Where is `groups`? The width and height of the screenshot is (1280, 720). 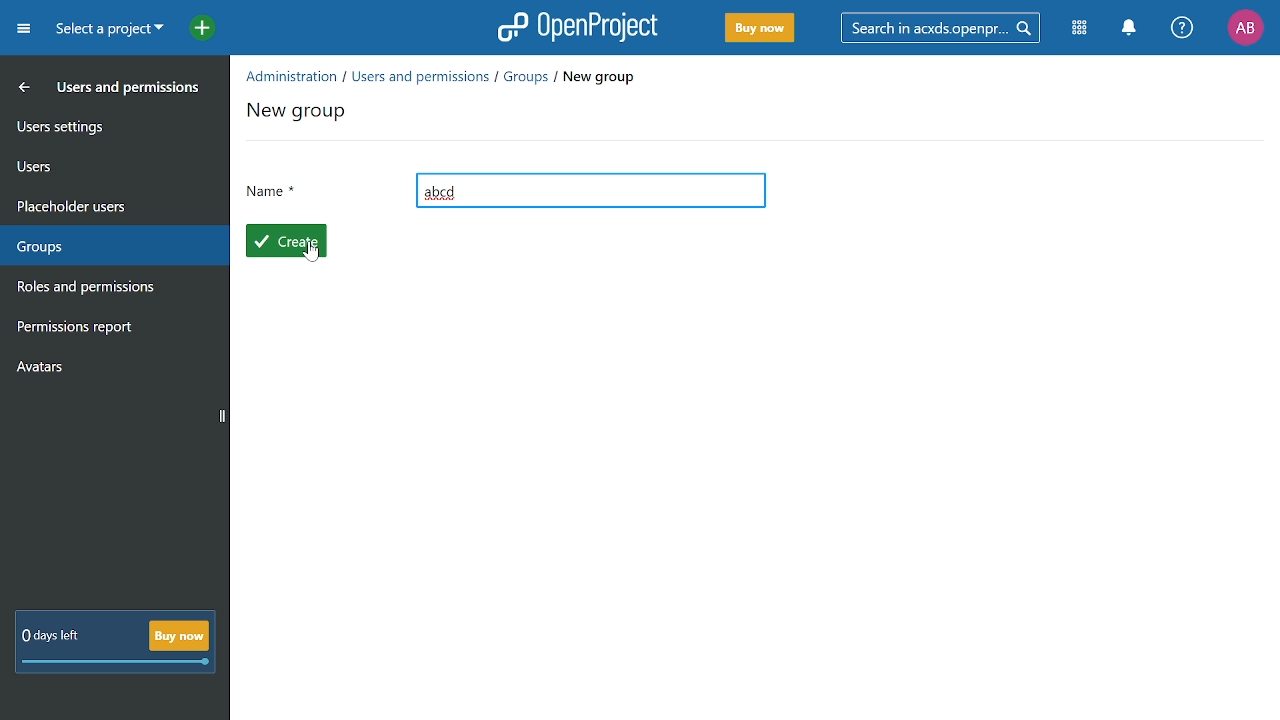 groups is located at coordinates (107, 247).